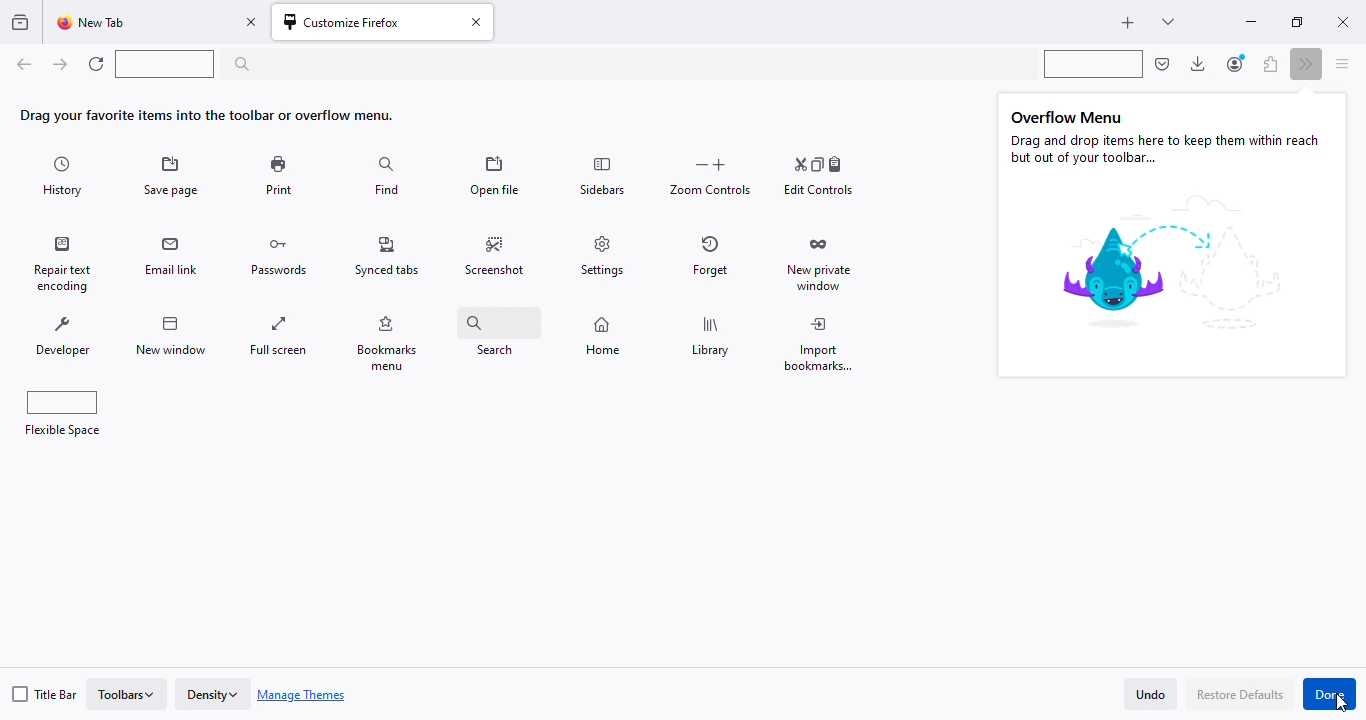 The width and height of the screenshot is (1366, 720). What do you see at coordinates (280, 338) in the screenshot?
I see `full screen` at bounding box center [280, 338].